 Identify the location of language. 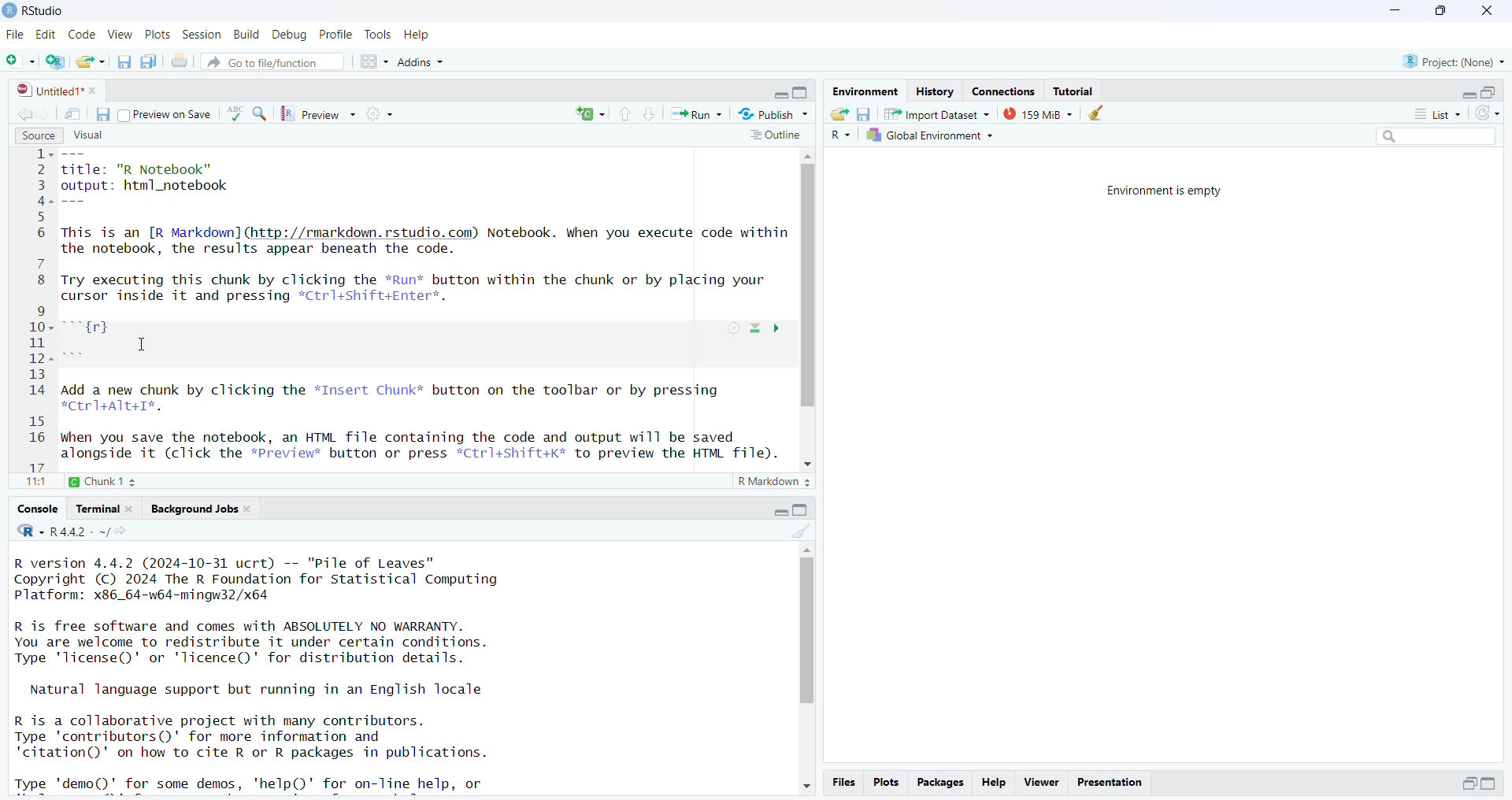
(235, 113).